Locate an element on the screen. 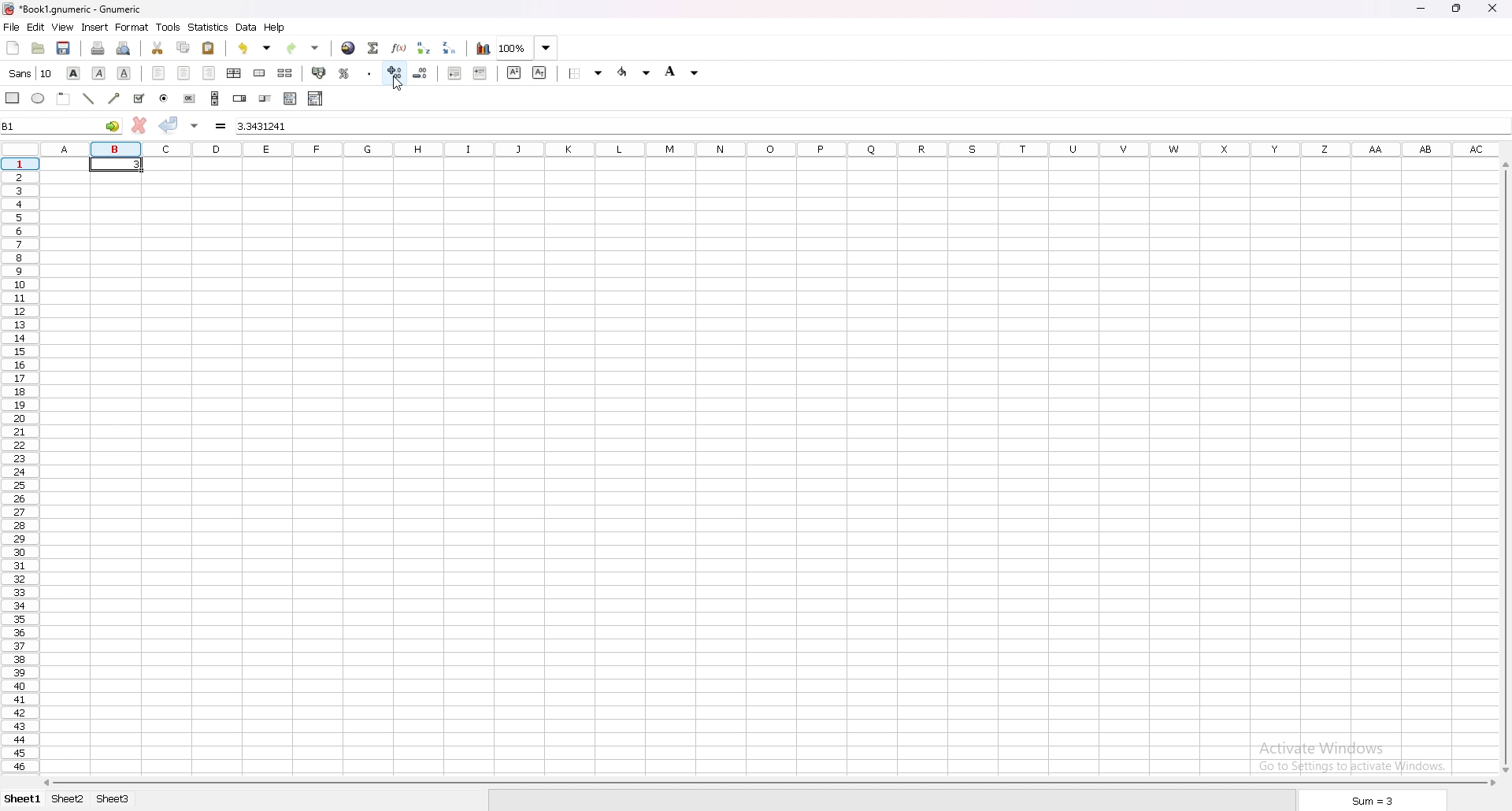 This screenshot has width=1512, height=811. close is located at coordinates (1492, 8).